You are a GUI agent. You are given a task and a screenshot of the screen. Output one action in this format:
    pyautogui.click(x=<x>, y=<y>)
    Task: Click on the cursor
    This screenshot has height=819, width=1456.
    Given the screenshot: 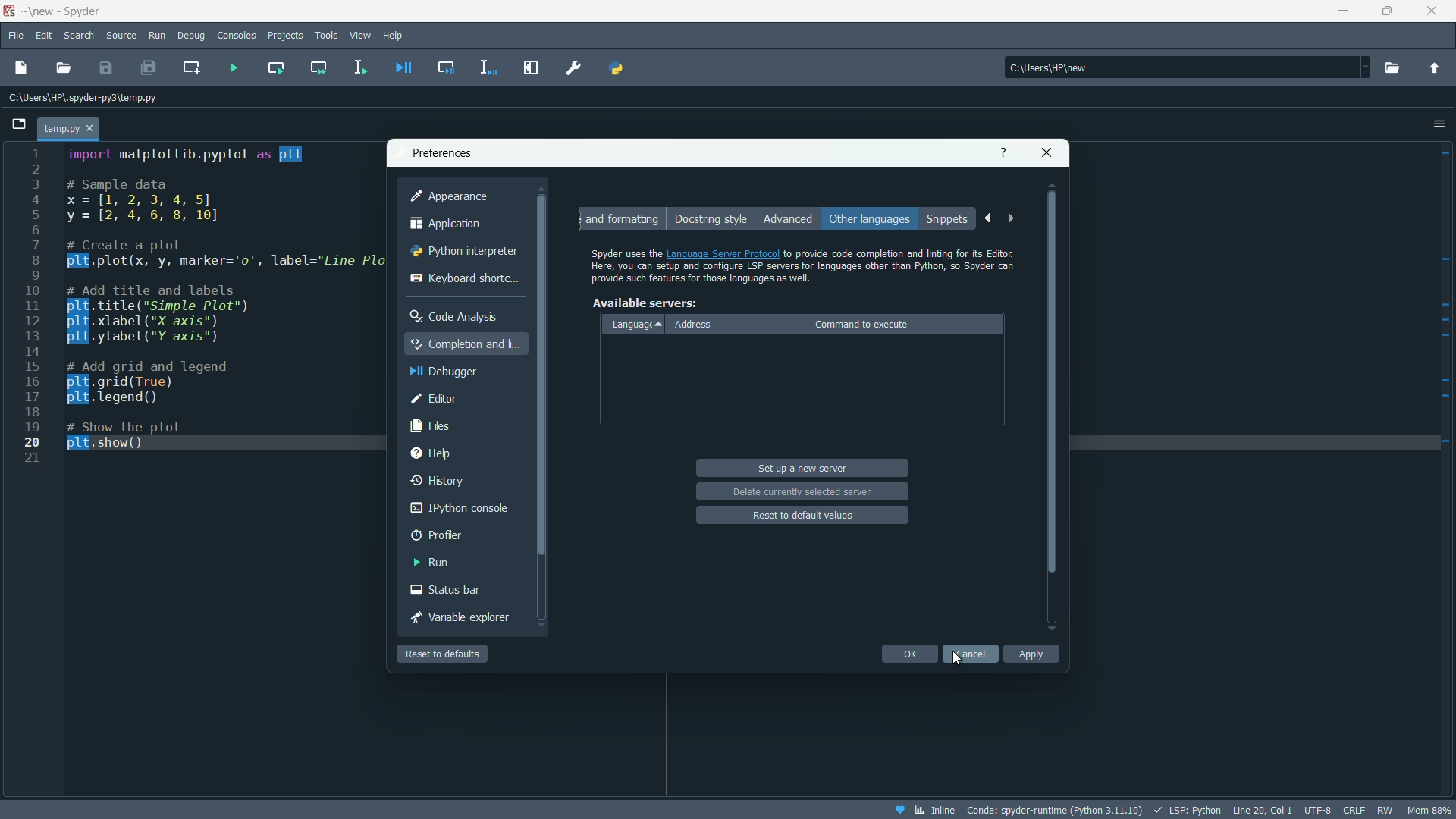 What is the action you would take?
    pyautogui.click(x=956, y=658)
    